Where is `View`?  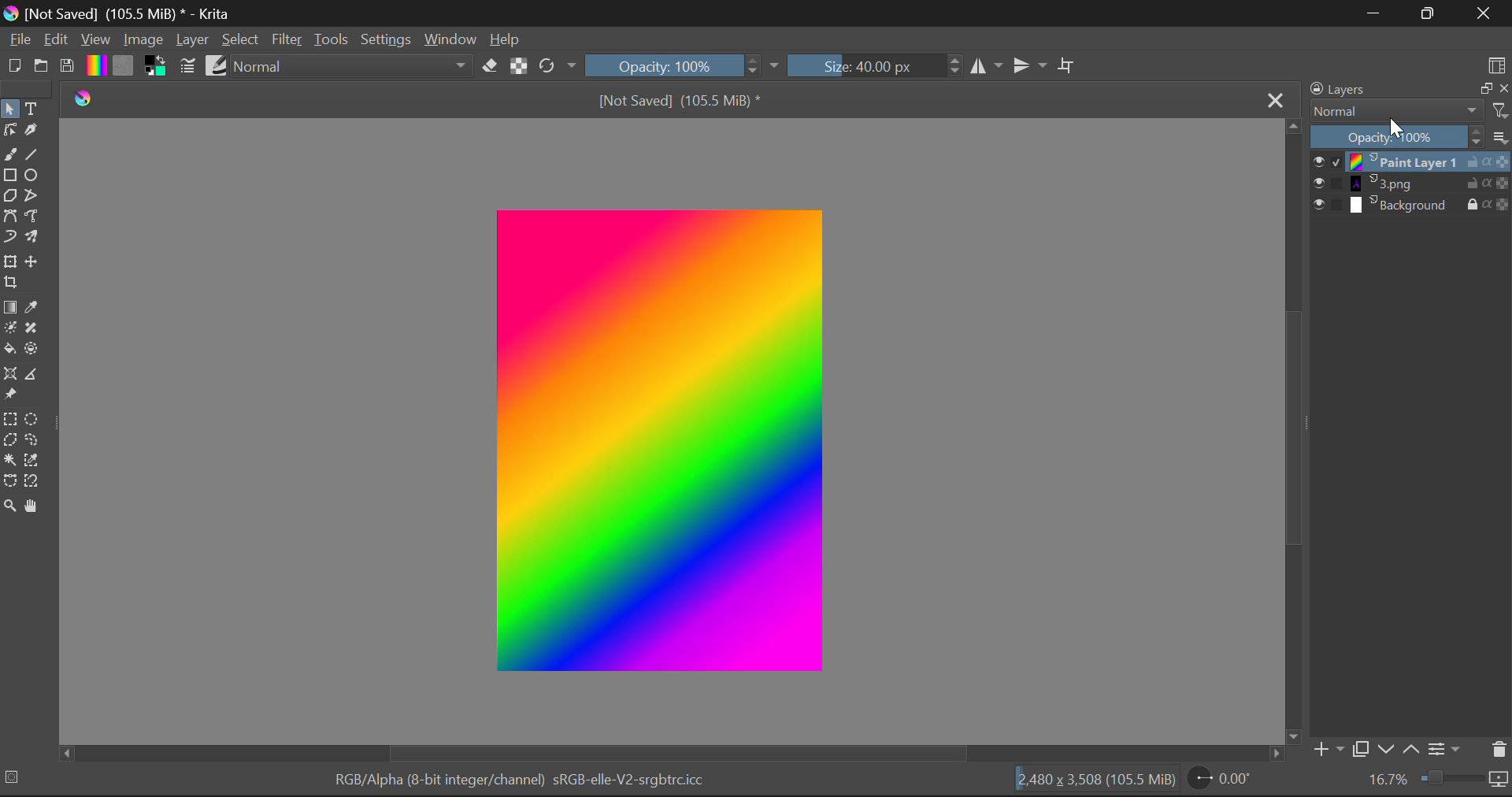 View is located at coordinates (96, 40).